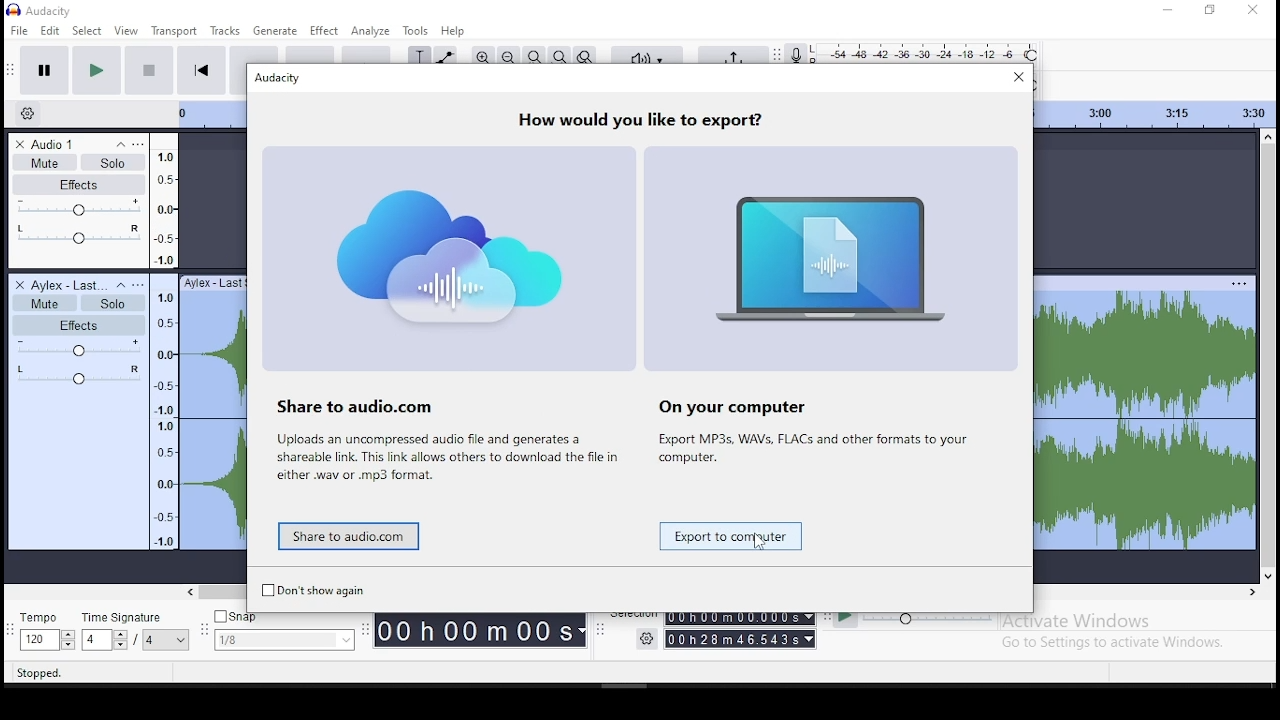  I want to click on zoom in, so click(482, 53).